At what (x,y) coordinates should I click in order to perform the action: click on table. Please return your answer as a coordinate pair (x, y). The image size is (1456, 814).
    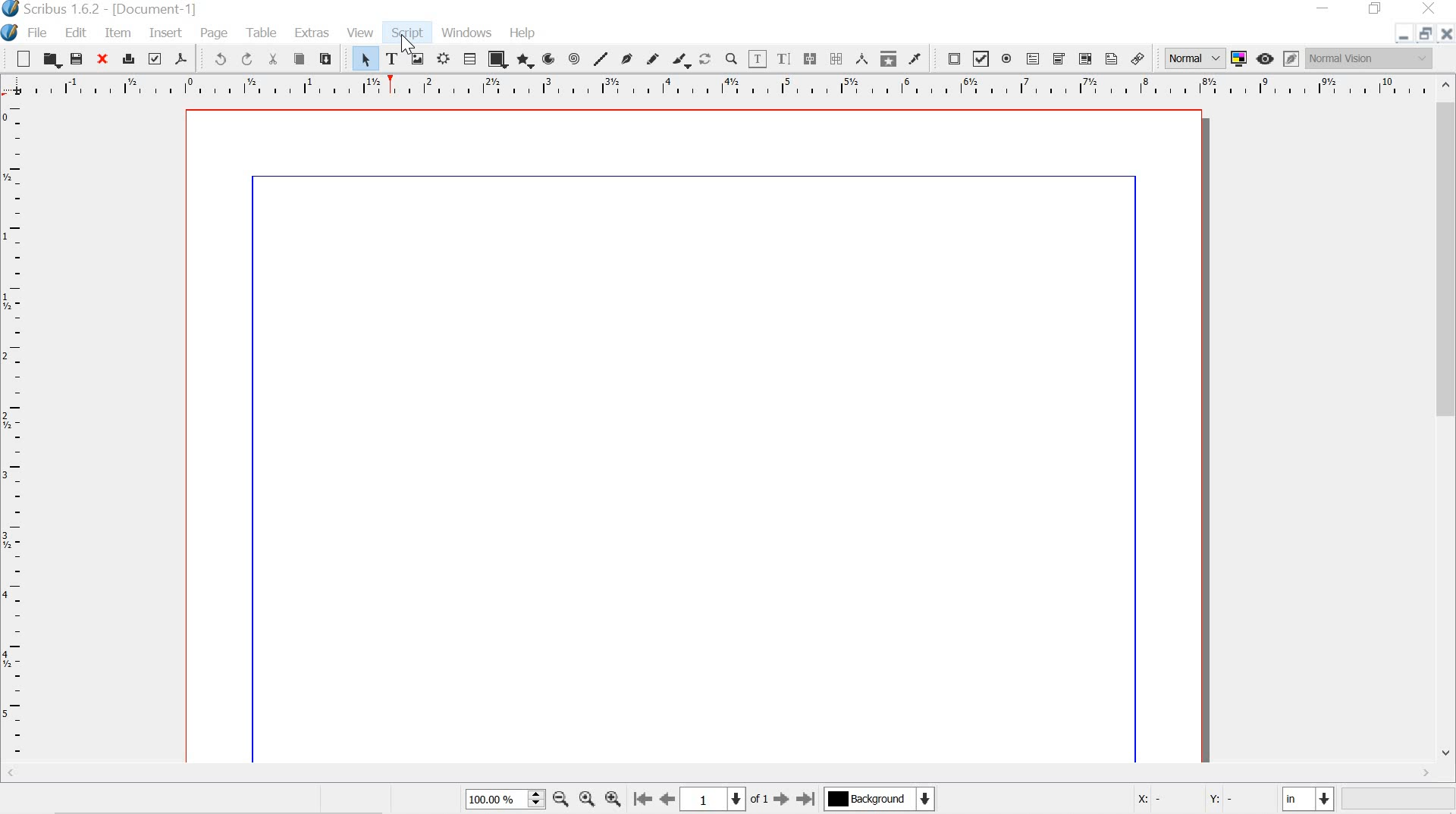
    Looking at the image, I should click on (470, 58).